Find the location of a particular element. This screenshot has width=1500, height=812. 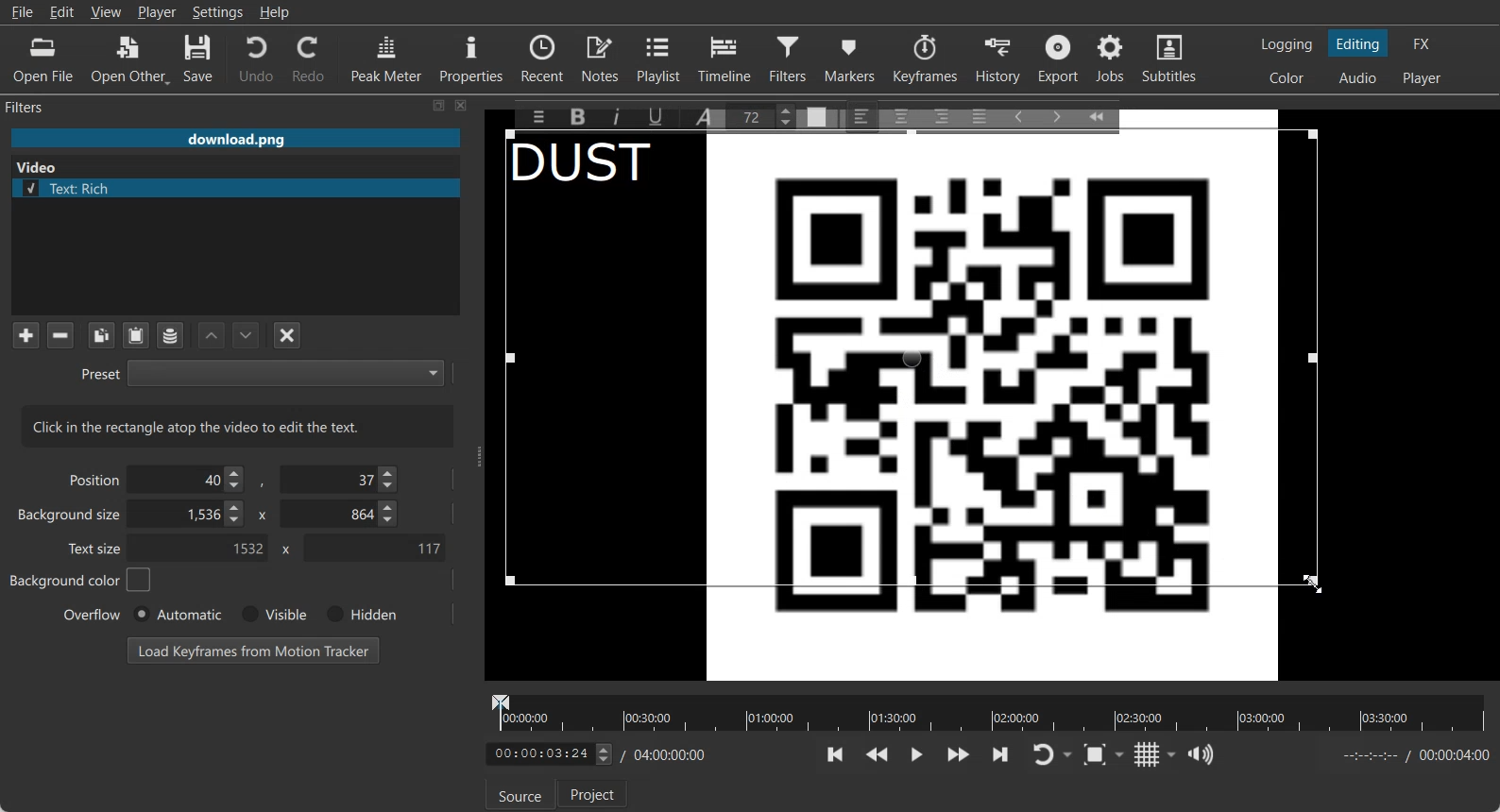

View is located at coordinates (106, 11).